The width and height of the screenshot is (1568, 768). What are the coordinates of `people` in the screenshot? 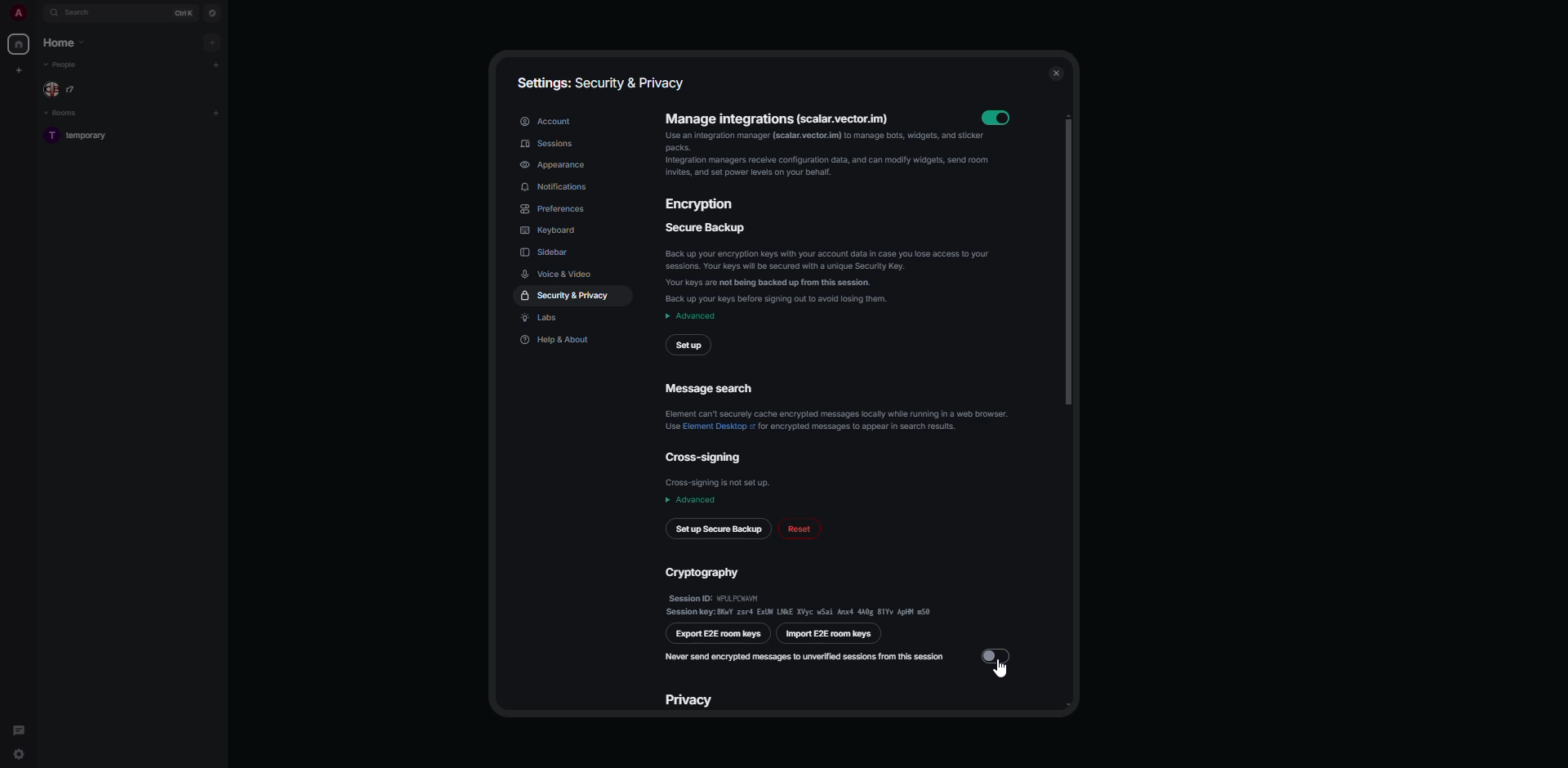 It's located at (64, 65).